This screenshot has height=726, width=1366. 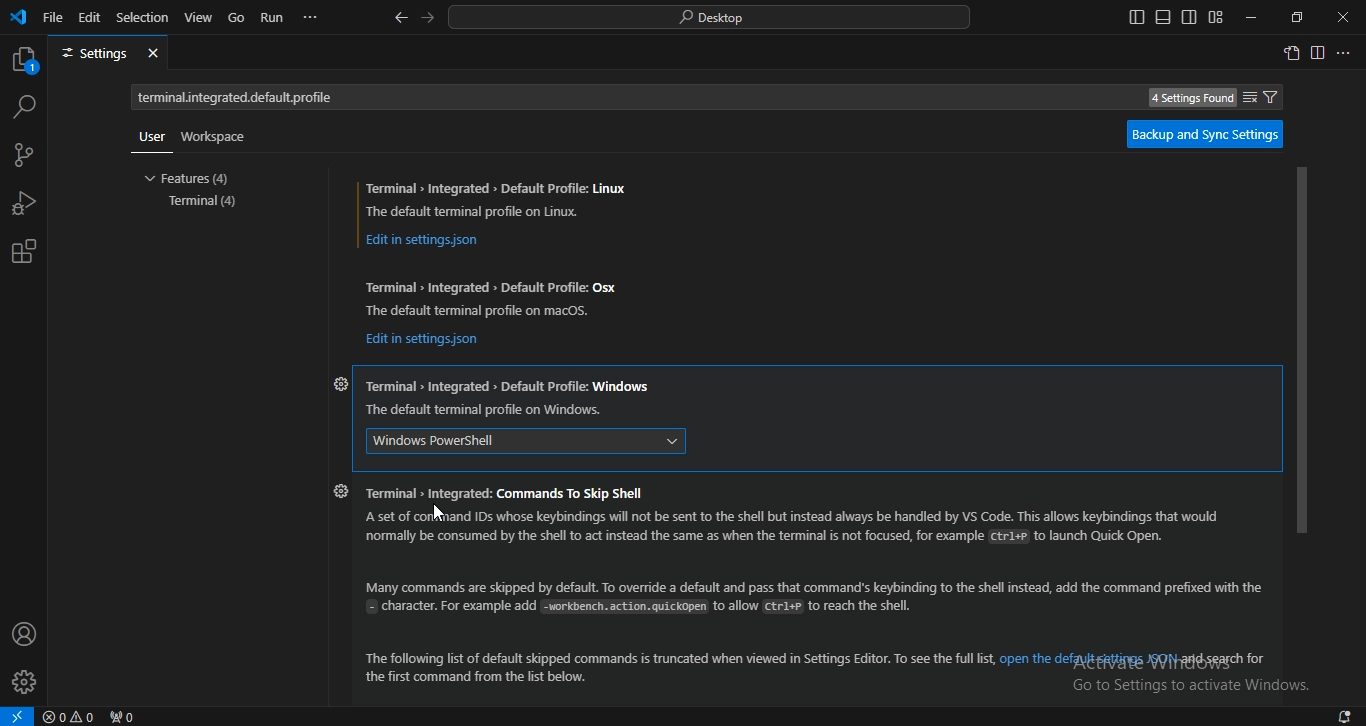 I want to click on close, so click(x=1344, y=16).